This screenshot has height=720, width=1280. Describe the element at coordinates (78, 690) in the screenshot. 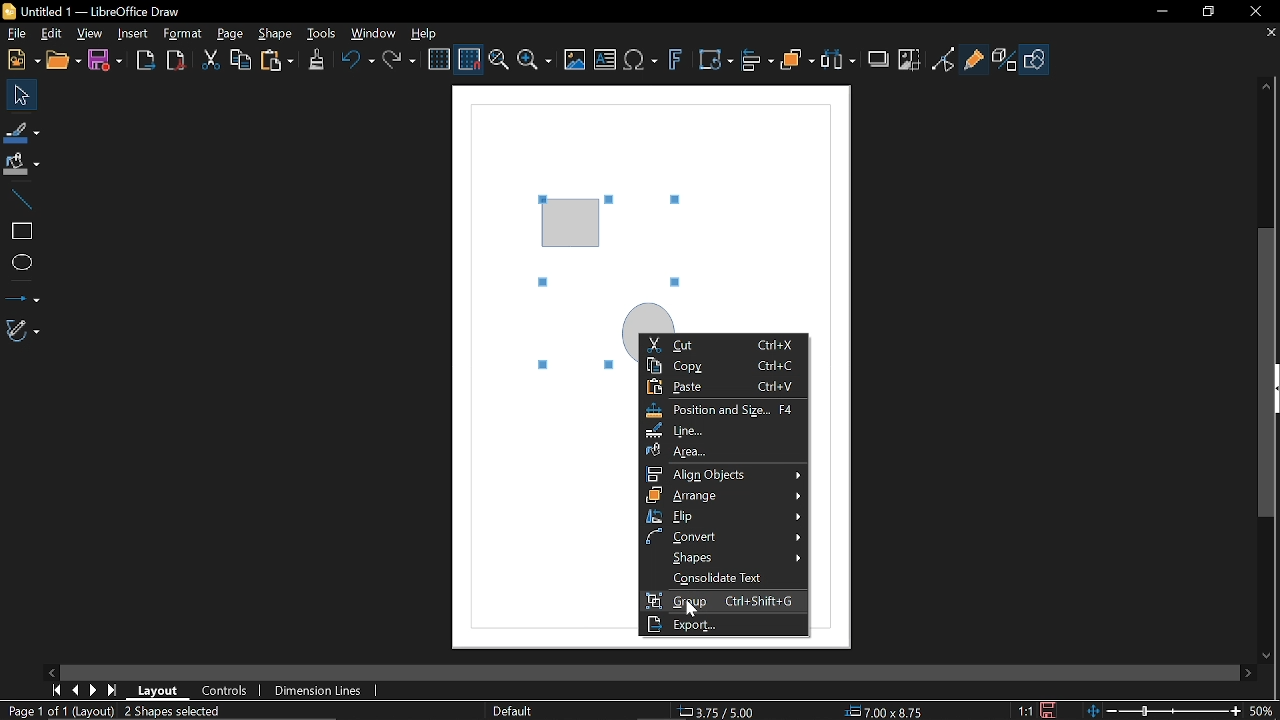

I see `Previous page` at that location.